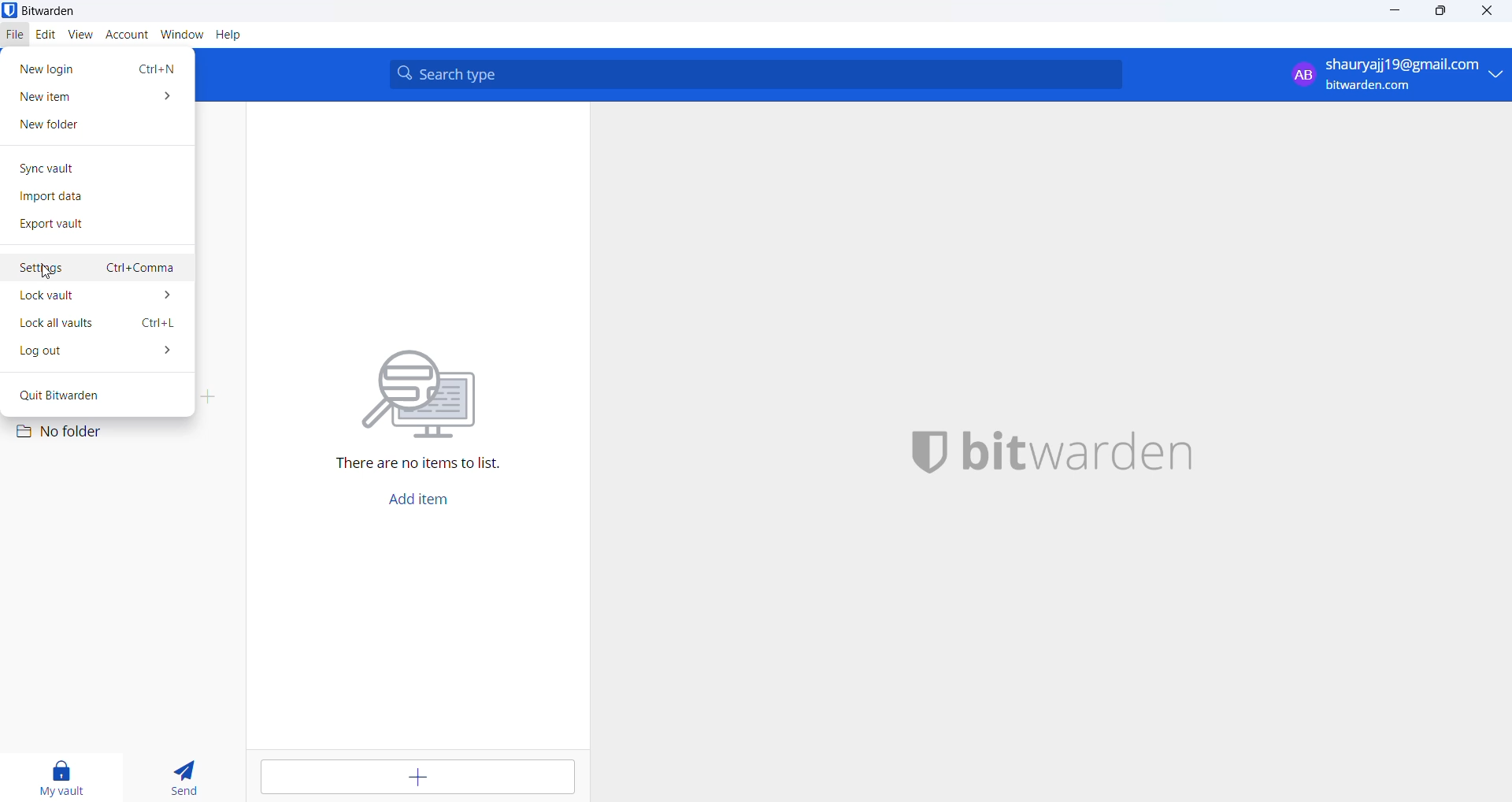  I want to click on Ctrl+N, so click(154, 68).